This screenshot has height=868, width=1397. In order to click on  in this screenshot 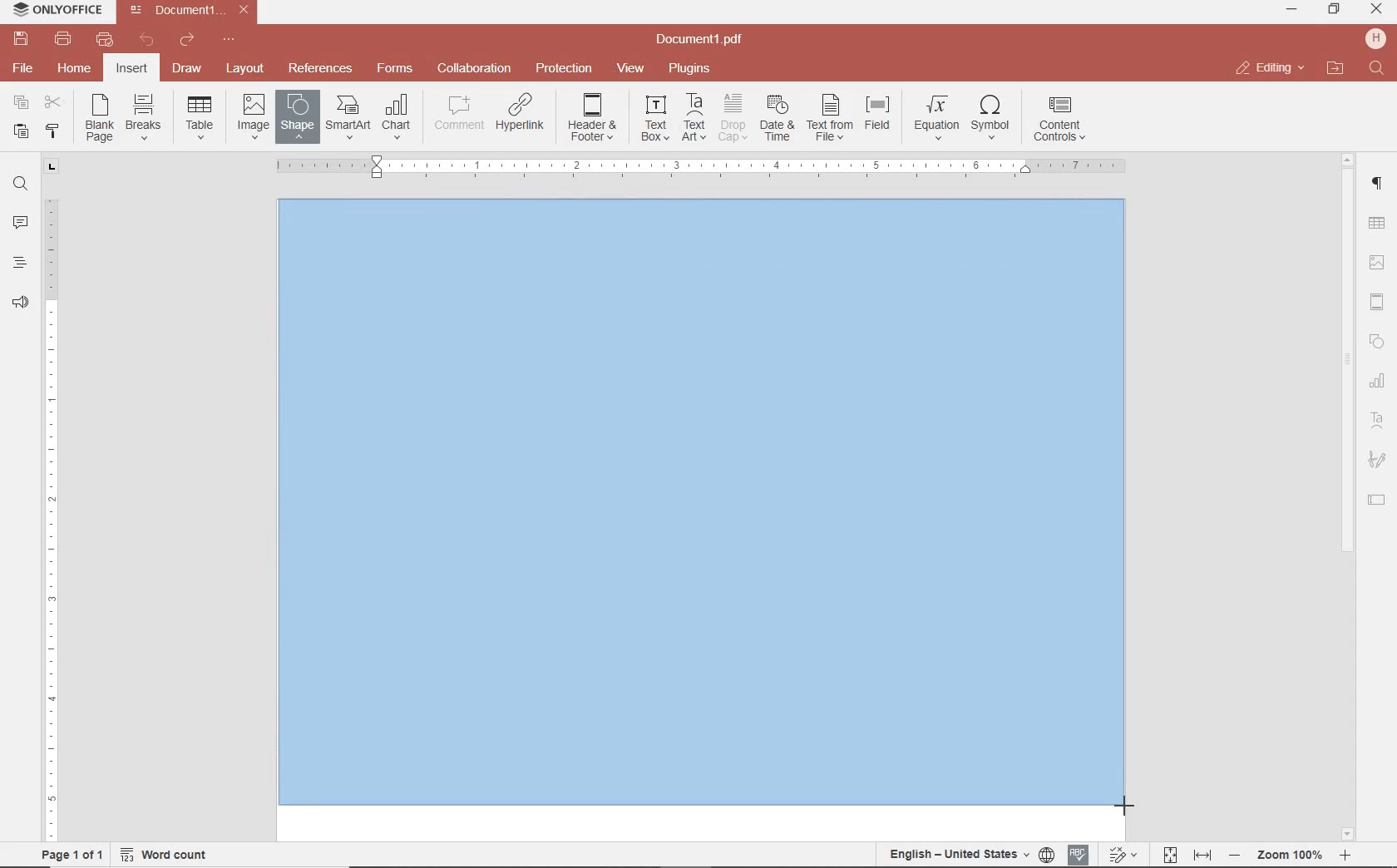, I will do `click(699, 166)`.